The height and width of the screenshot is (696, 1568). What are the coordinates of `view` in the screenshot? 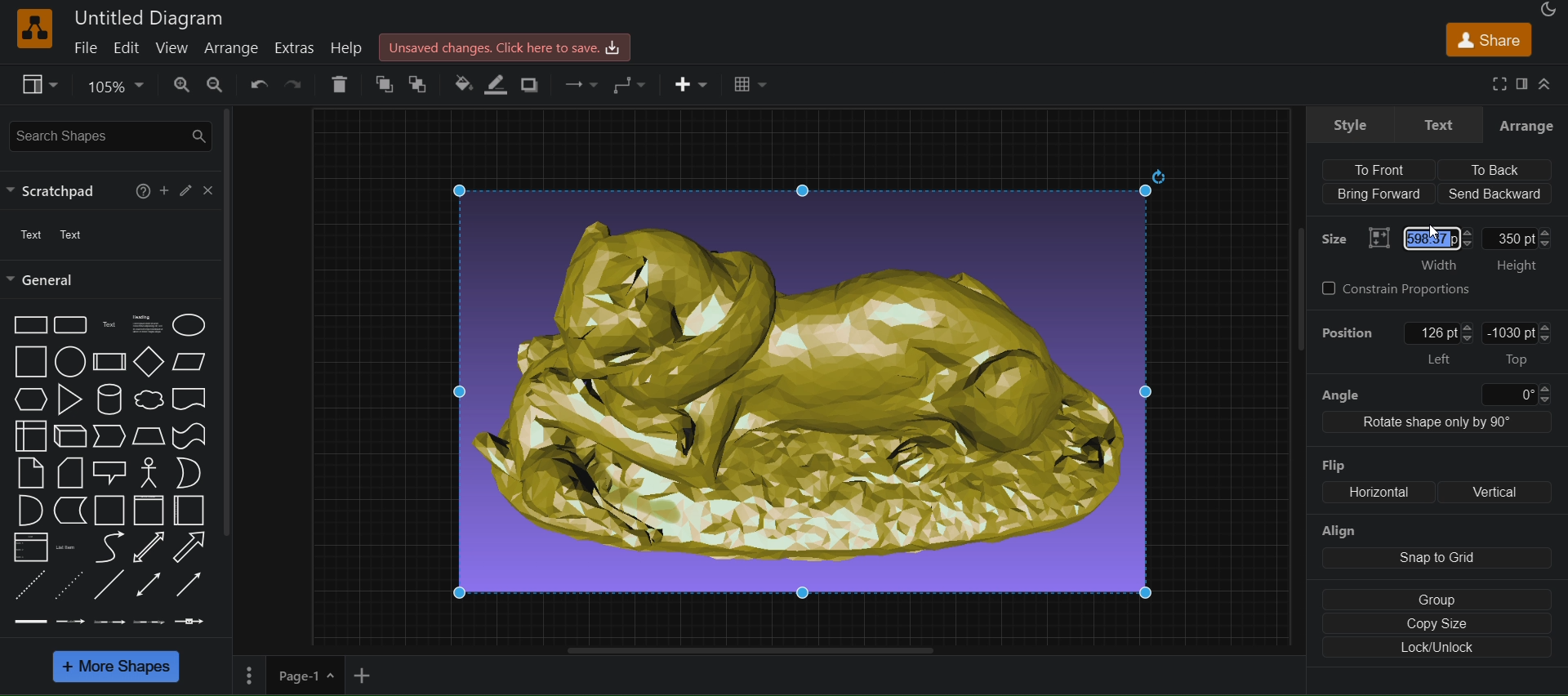 It's located at (40, 84).